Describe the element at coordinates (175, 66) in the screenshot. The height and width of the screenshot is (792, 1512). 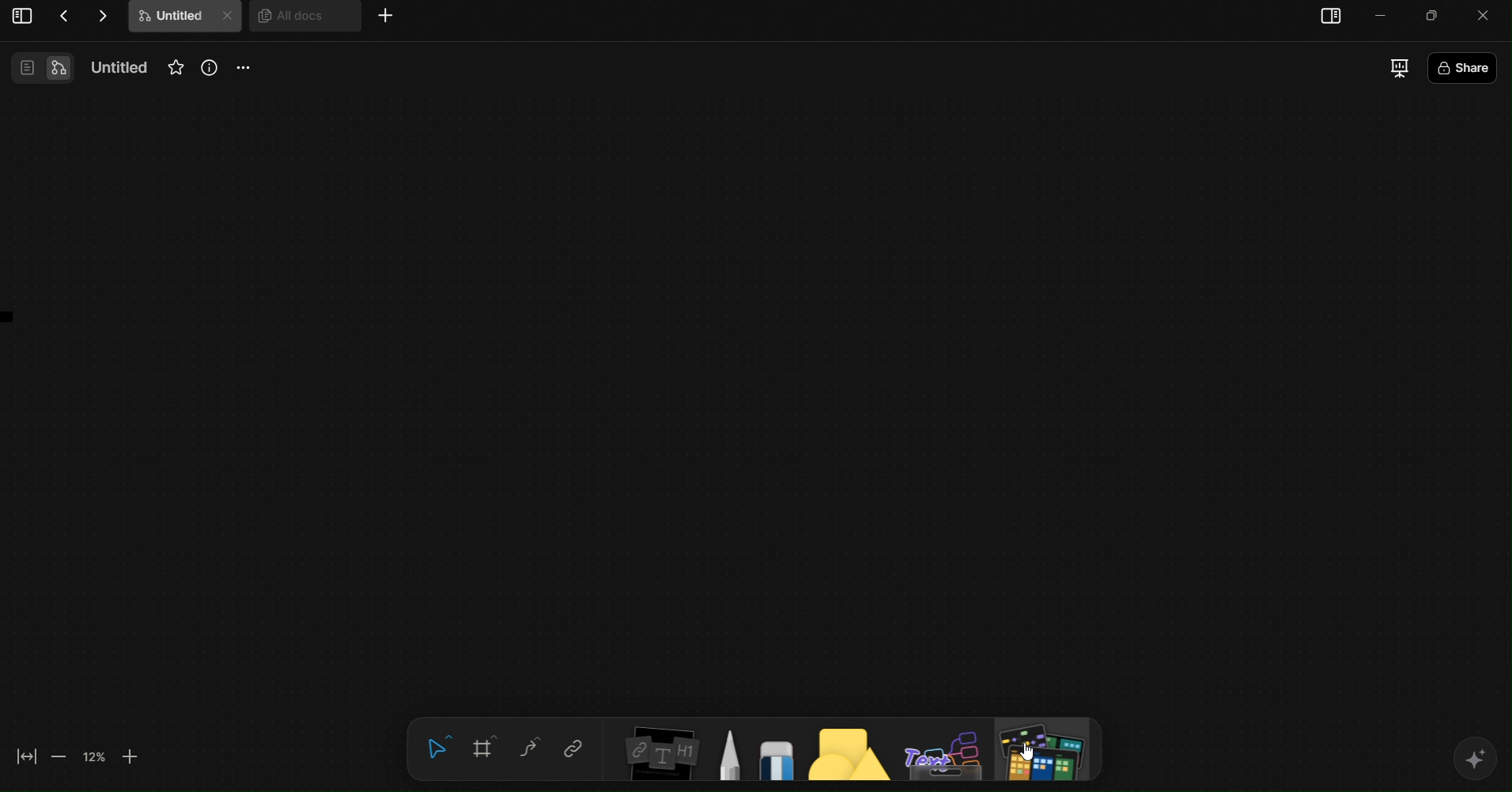
I see `Favourites` at that location.